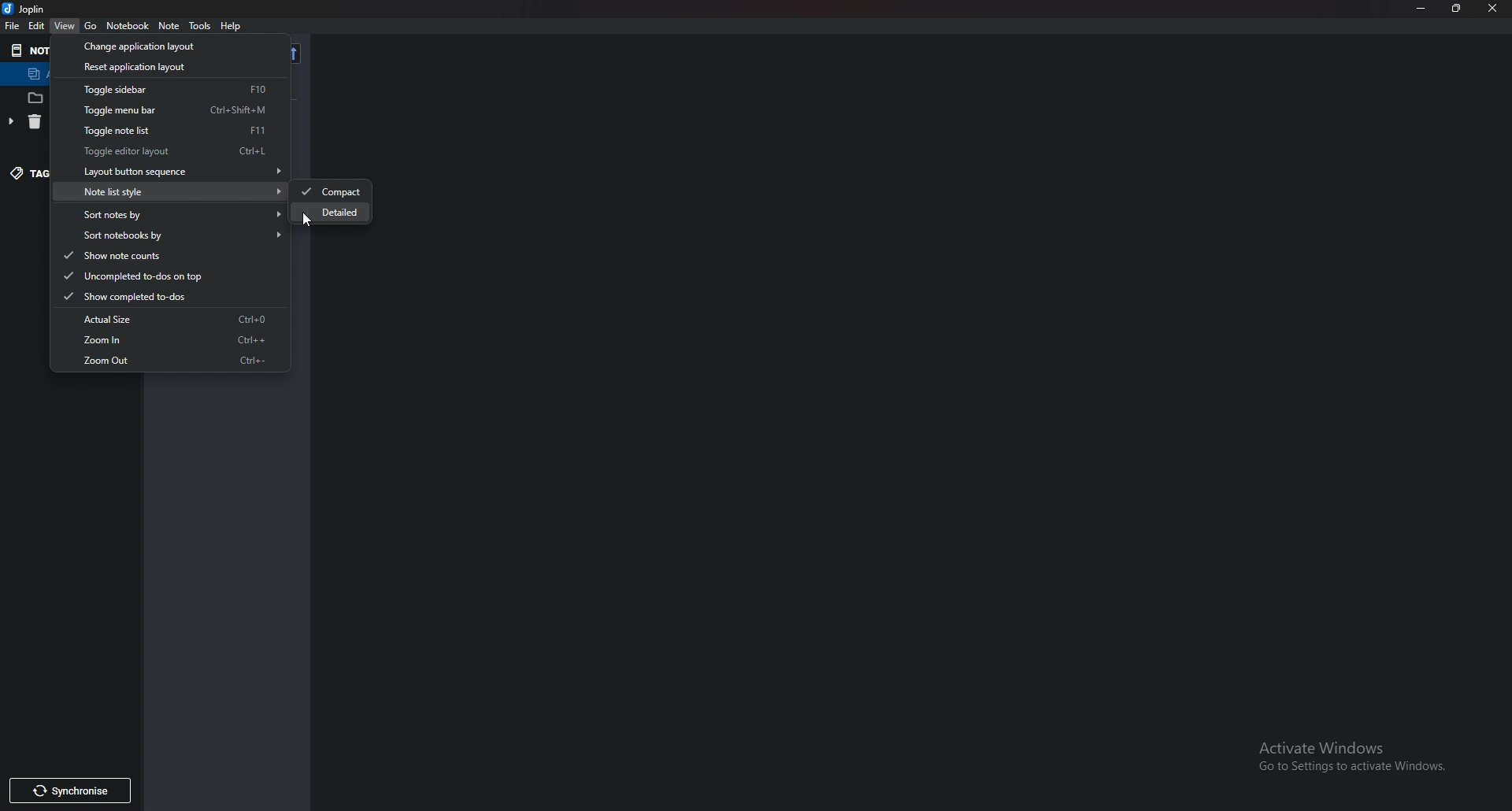 The height and width of the screenshot is (811, 1512). Describe the element at coordinates (128, 27) in the screenshot. I see `Notebook` at that location.